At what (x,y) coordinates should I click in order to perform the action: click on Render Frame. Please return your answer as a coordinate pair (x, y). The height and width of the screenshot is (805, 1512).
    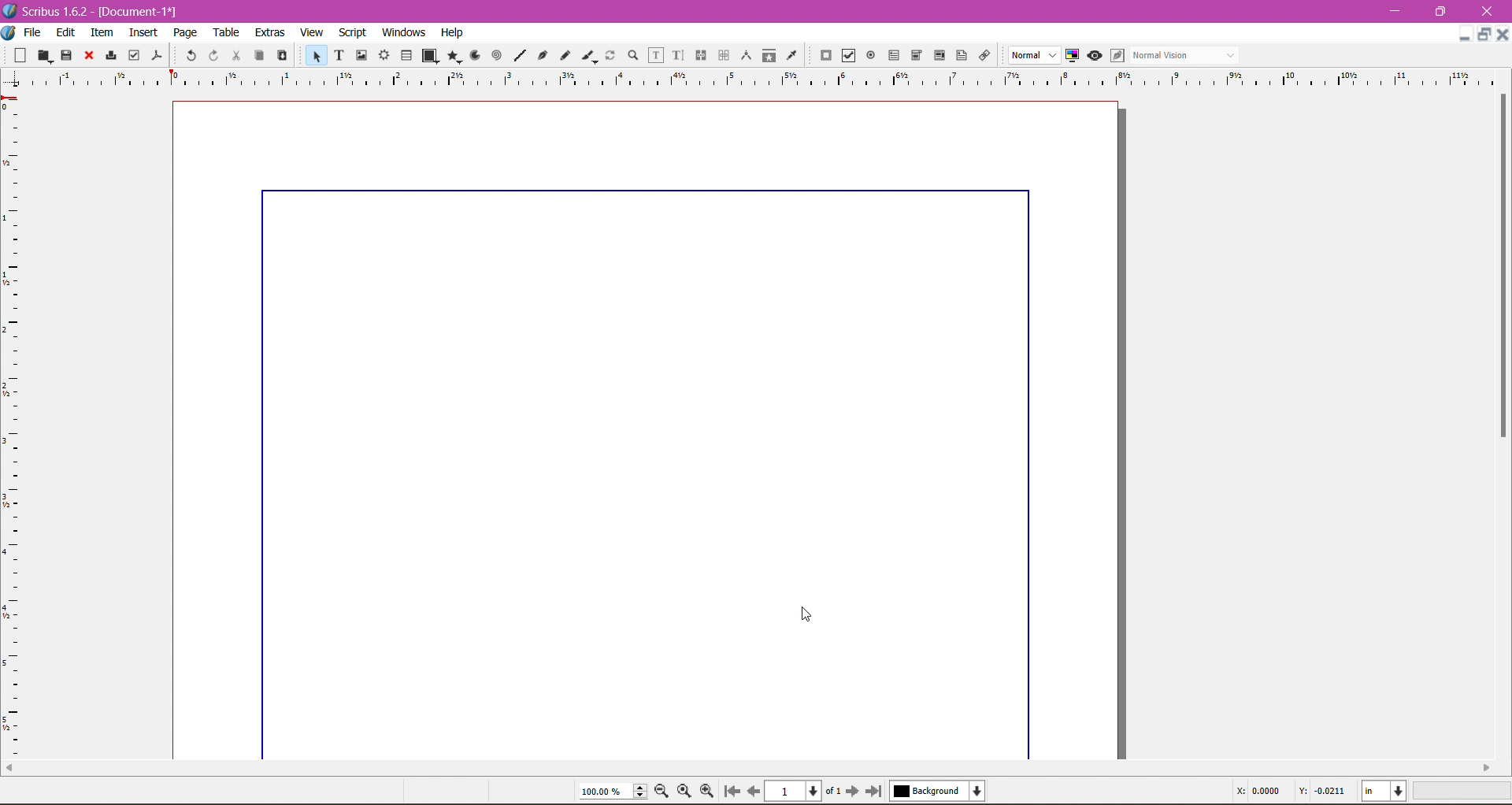
    Looking at the image, I should click on (385, 55).